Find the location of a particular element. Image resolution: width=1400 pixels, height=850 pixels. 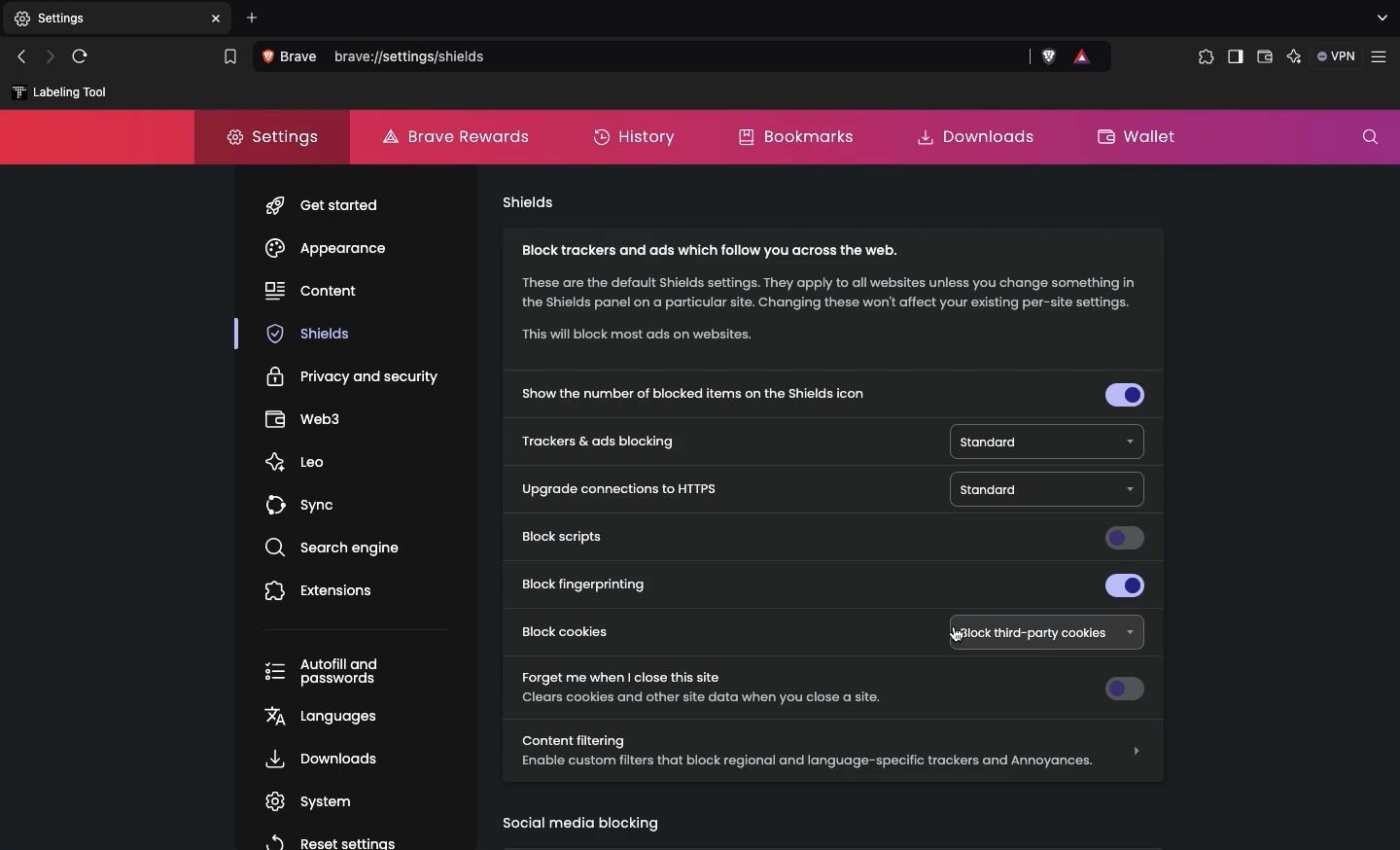

system is located at coordinates (315, 801).